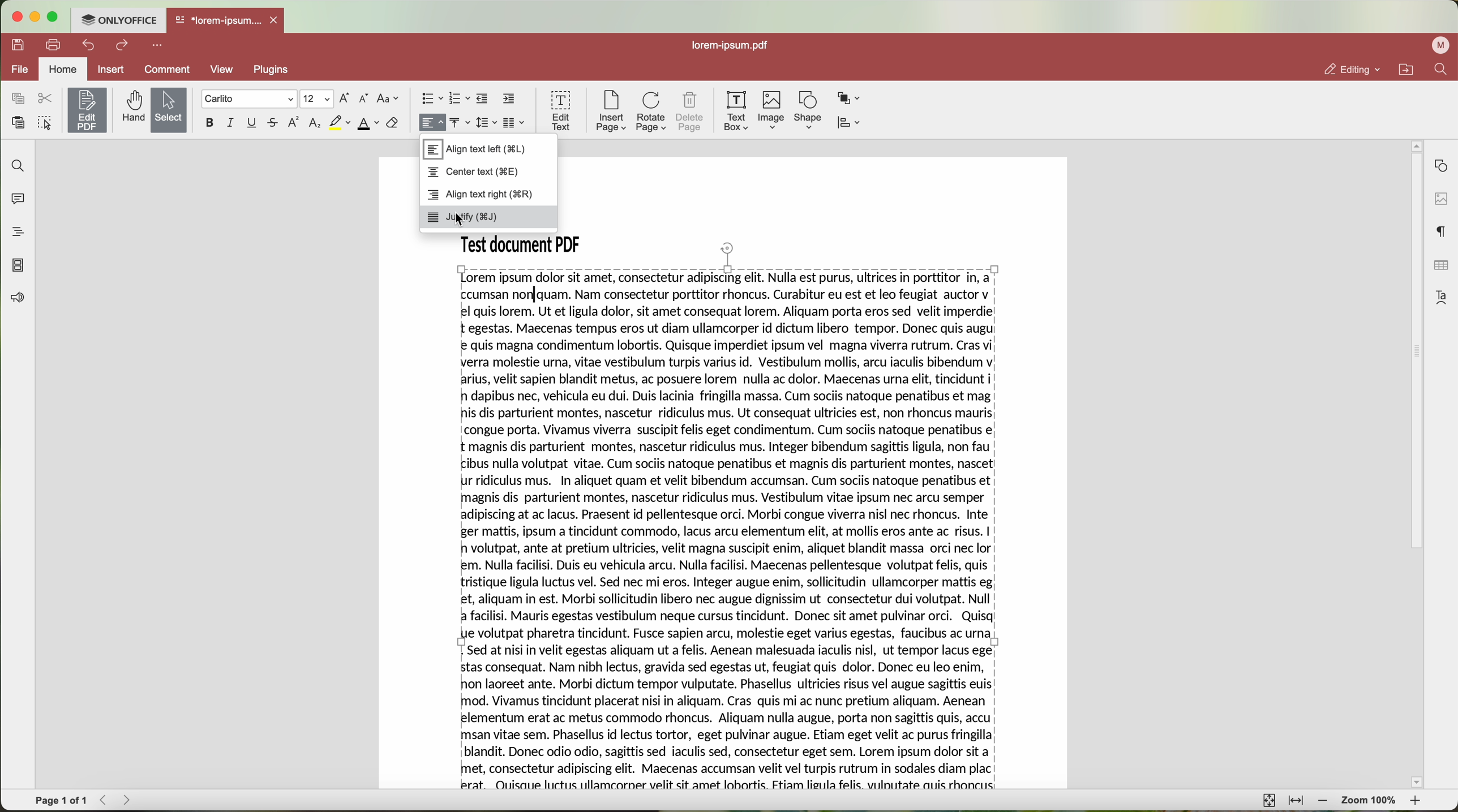 Image resolution: width=1458 pixels, height=812 pixels. What do you see at coordinates (1268, 801) in the screenshot?
I see `fit to page` at bounding box center [1268, 801].